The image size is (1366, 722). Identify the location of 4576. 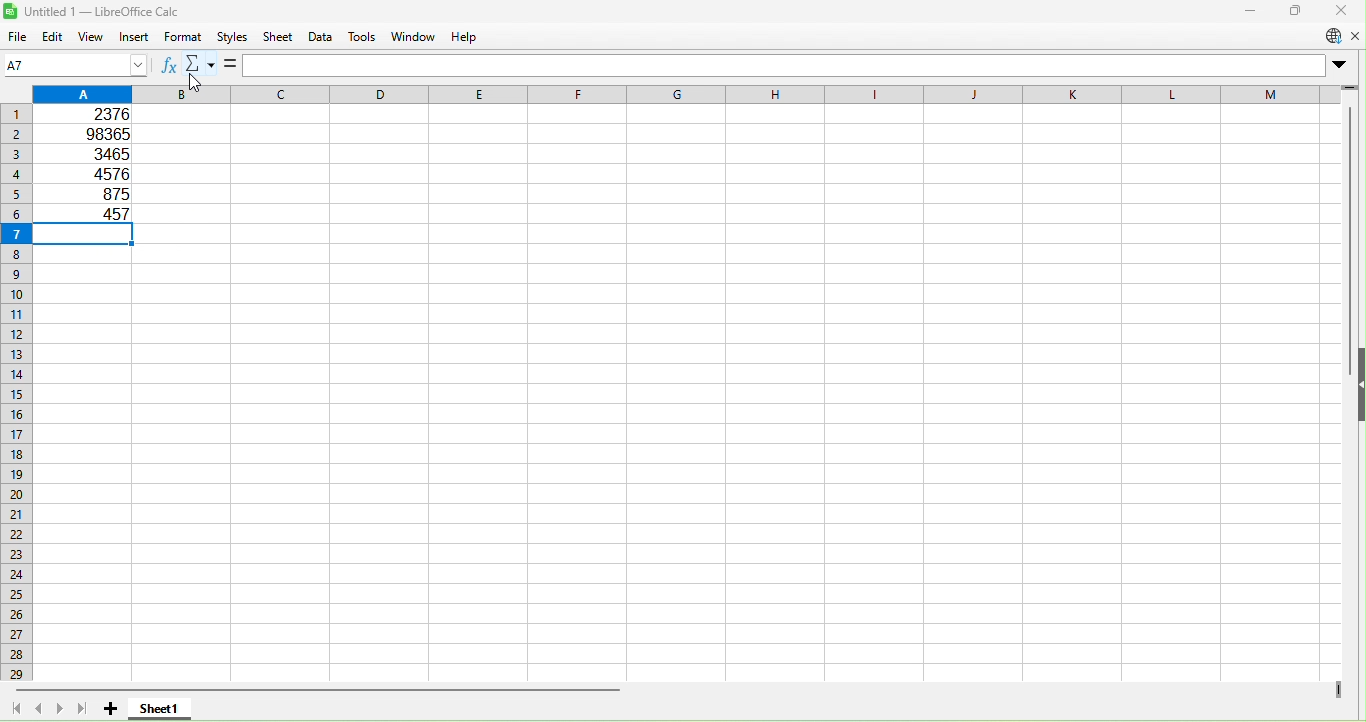
(100, 171).